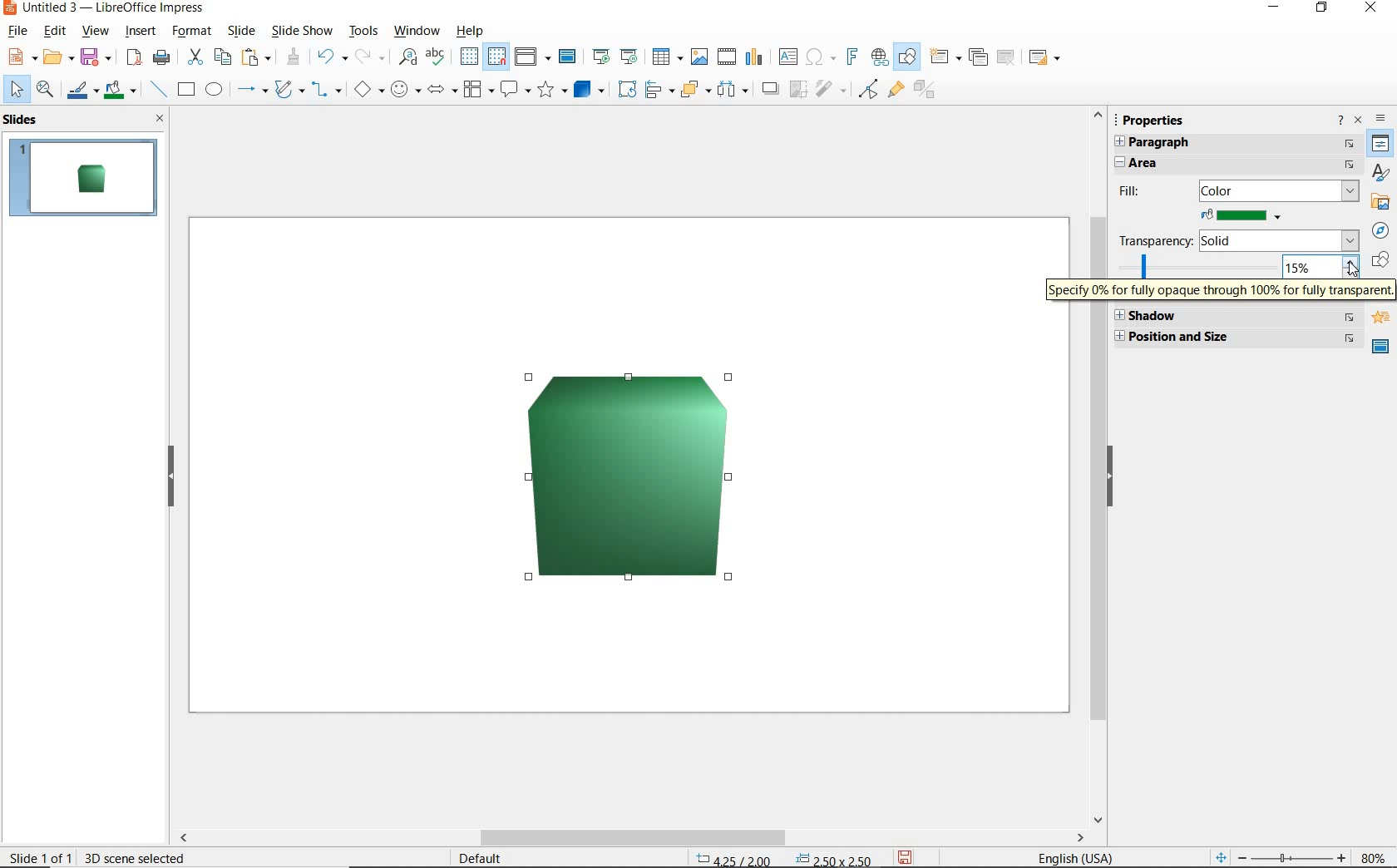  Describe the element at coordinates (604, 57) in the screenshot. I see `start from first slide` at that location.